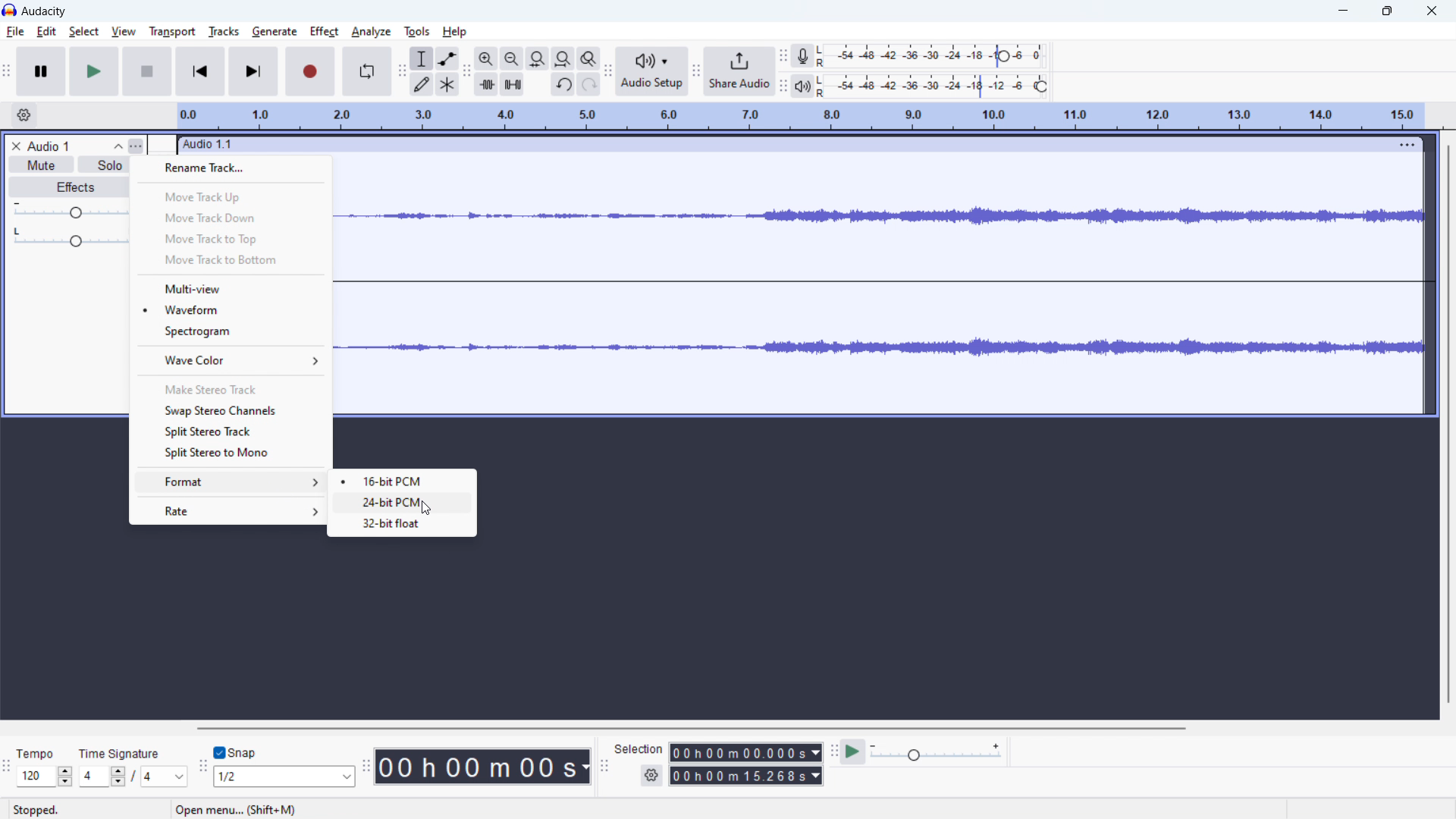 The width and height of the screenshot is (1456, 819). I want to click on analyze, so click(371, 33).